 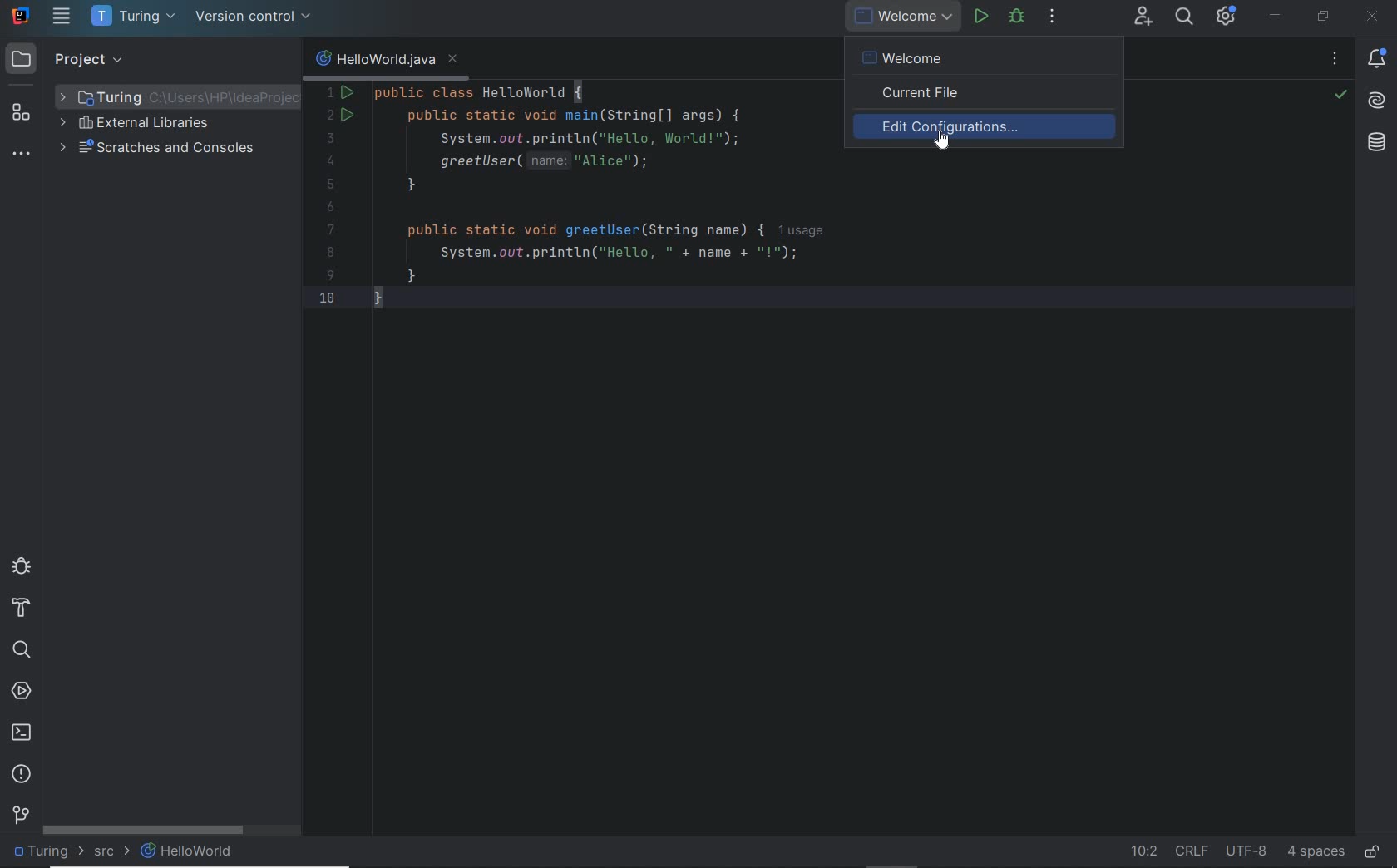 What do you see at coordinates (111, 854) in the screenshot?
I see `src` at bounding box center [111, 854].